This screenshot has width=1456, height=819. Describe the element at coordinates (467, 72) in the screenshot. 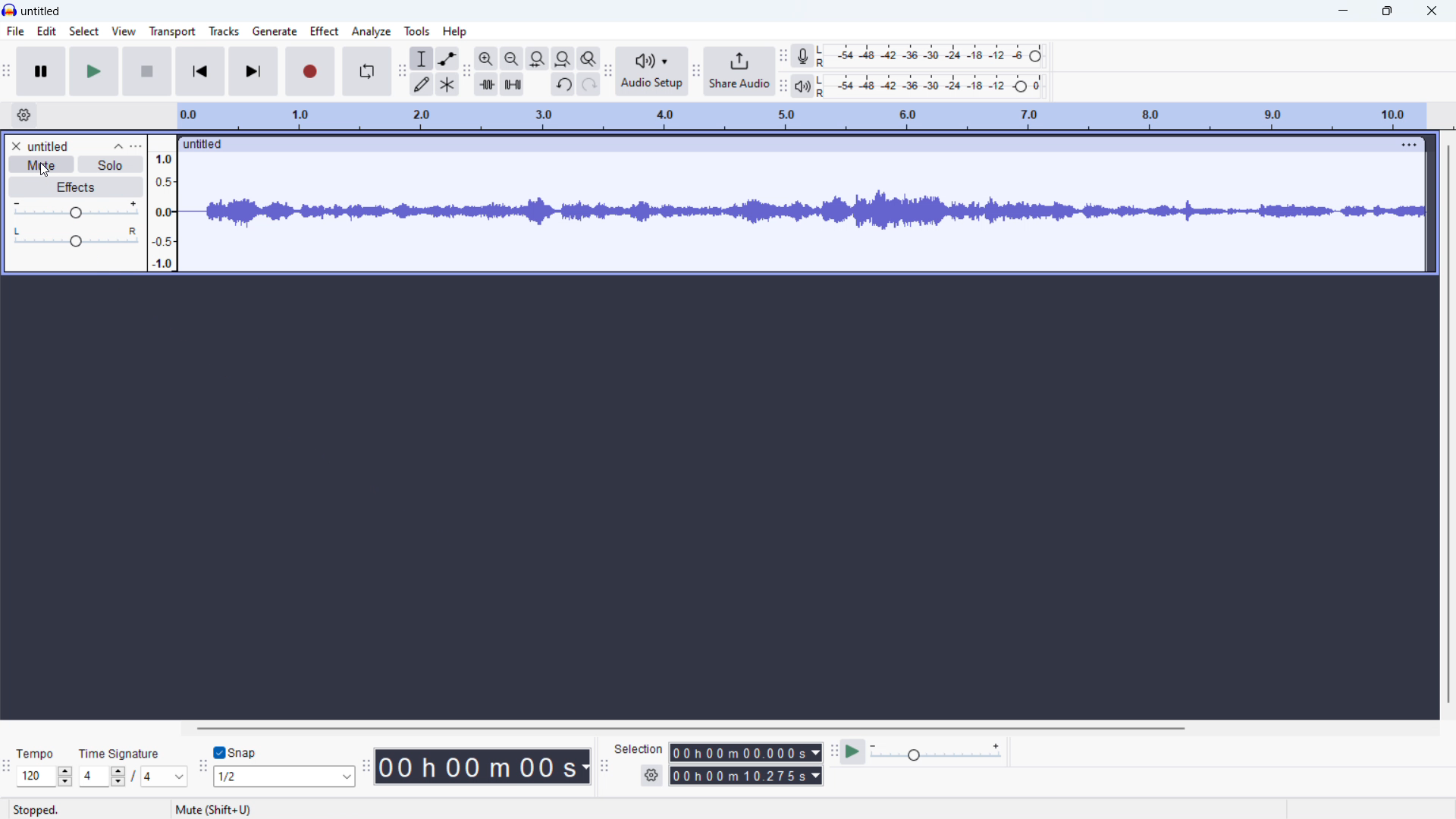

I see `edit toolbar` at that location.